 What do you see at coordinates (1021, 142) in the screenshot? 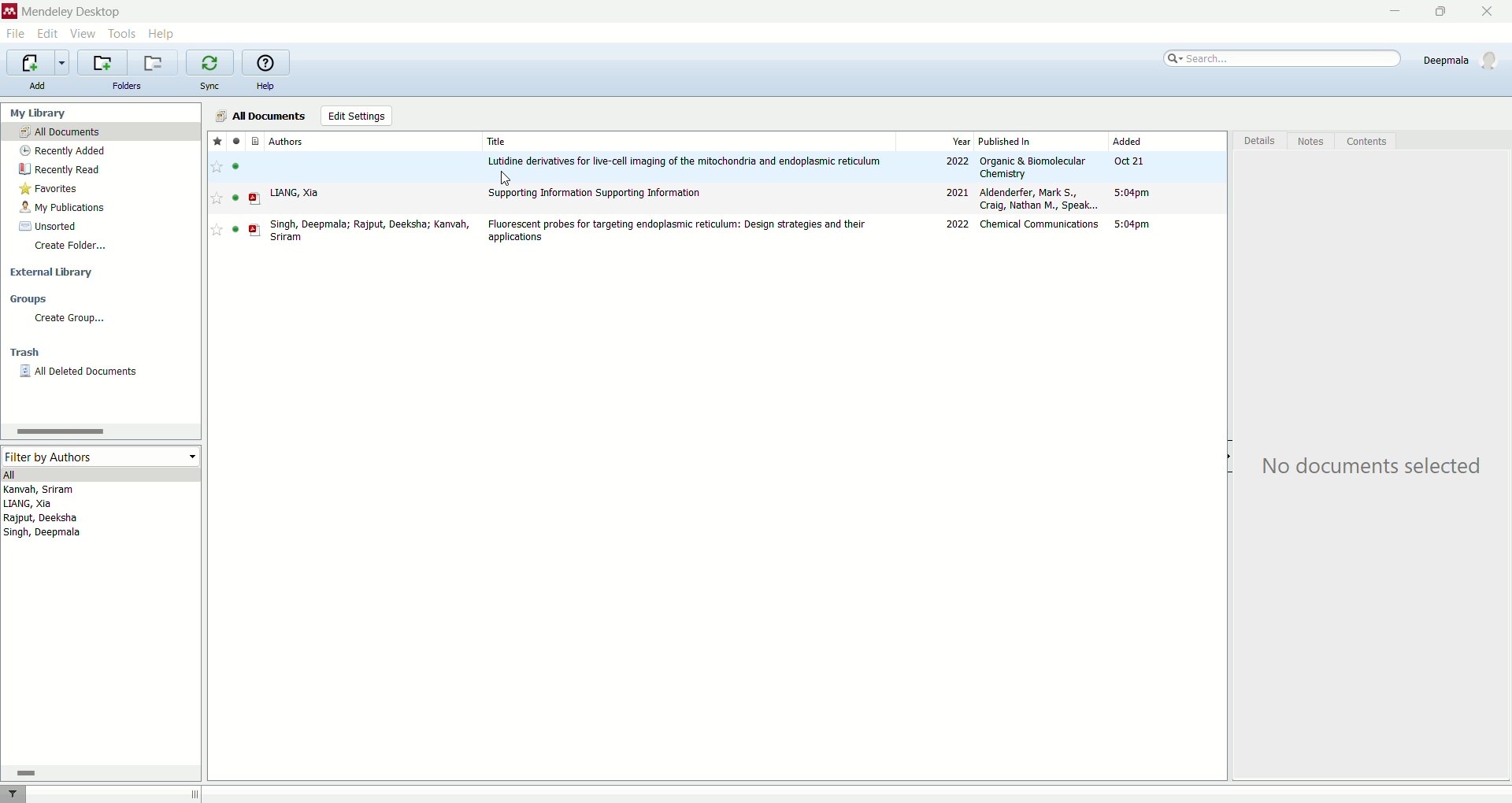
I see `published in` at bounding box center [1021, 142].